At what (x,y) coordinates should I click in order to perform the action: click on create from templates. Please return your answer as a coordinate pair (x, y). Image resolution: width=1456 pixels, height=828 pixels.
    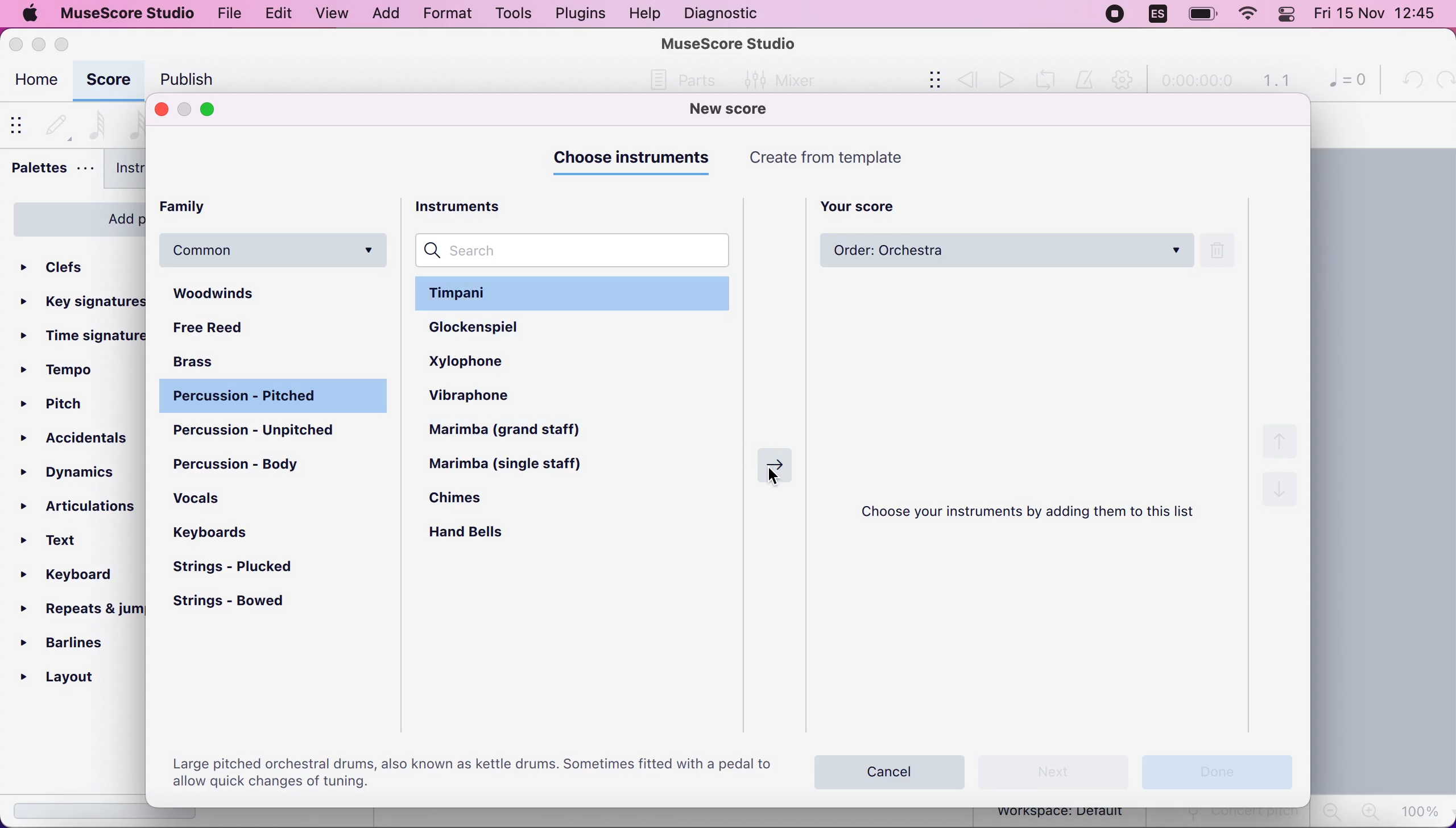
    Looking at the image, I should click on (852, 158).